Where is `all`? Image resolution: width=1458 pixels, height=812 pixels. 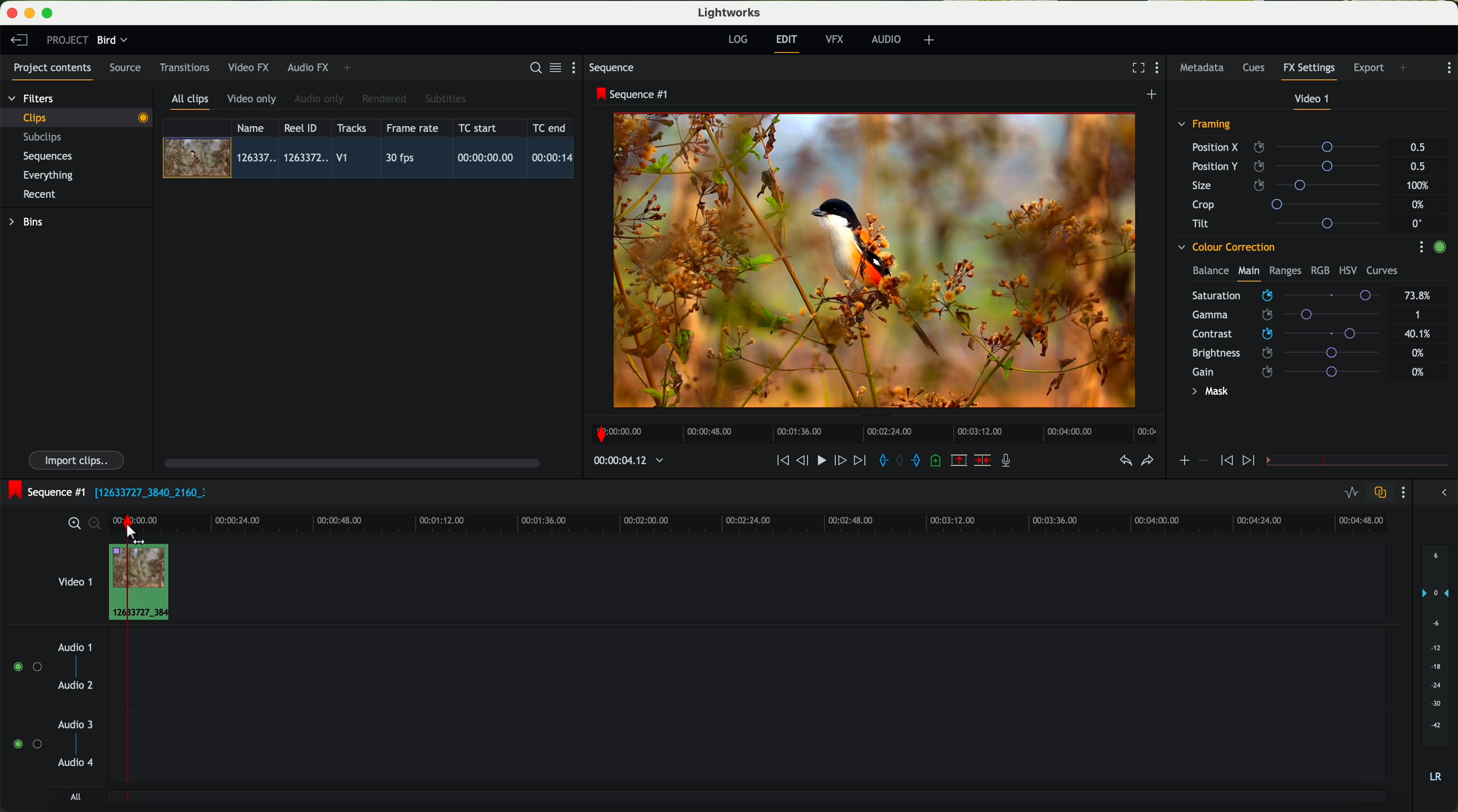
all is located at coordinates (75, 797).